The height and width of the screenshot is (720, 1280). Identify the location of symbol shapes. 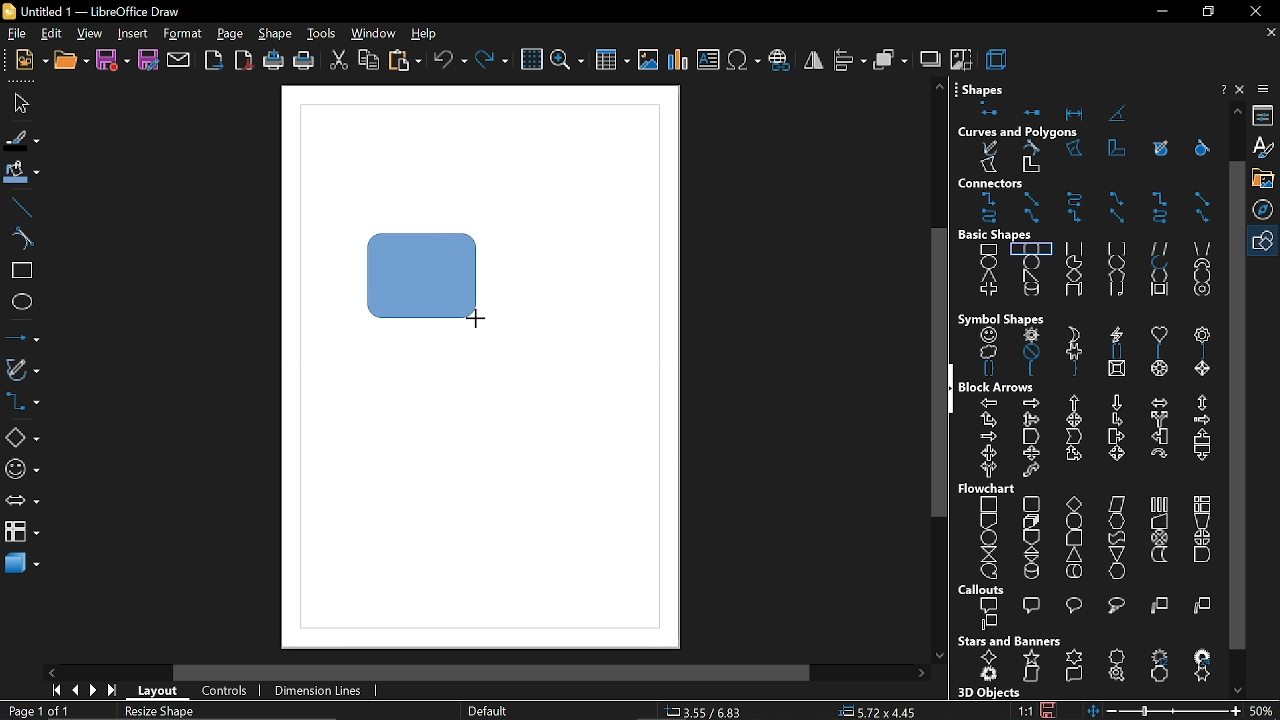
(22, 470).